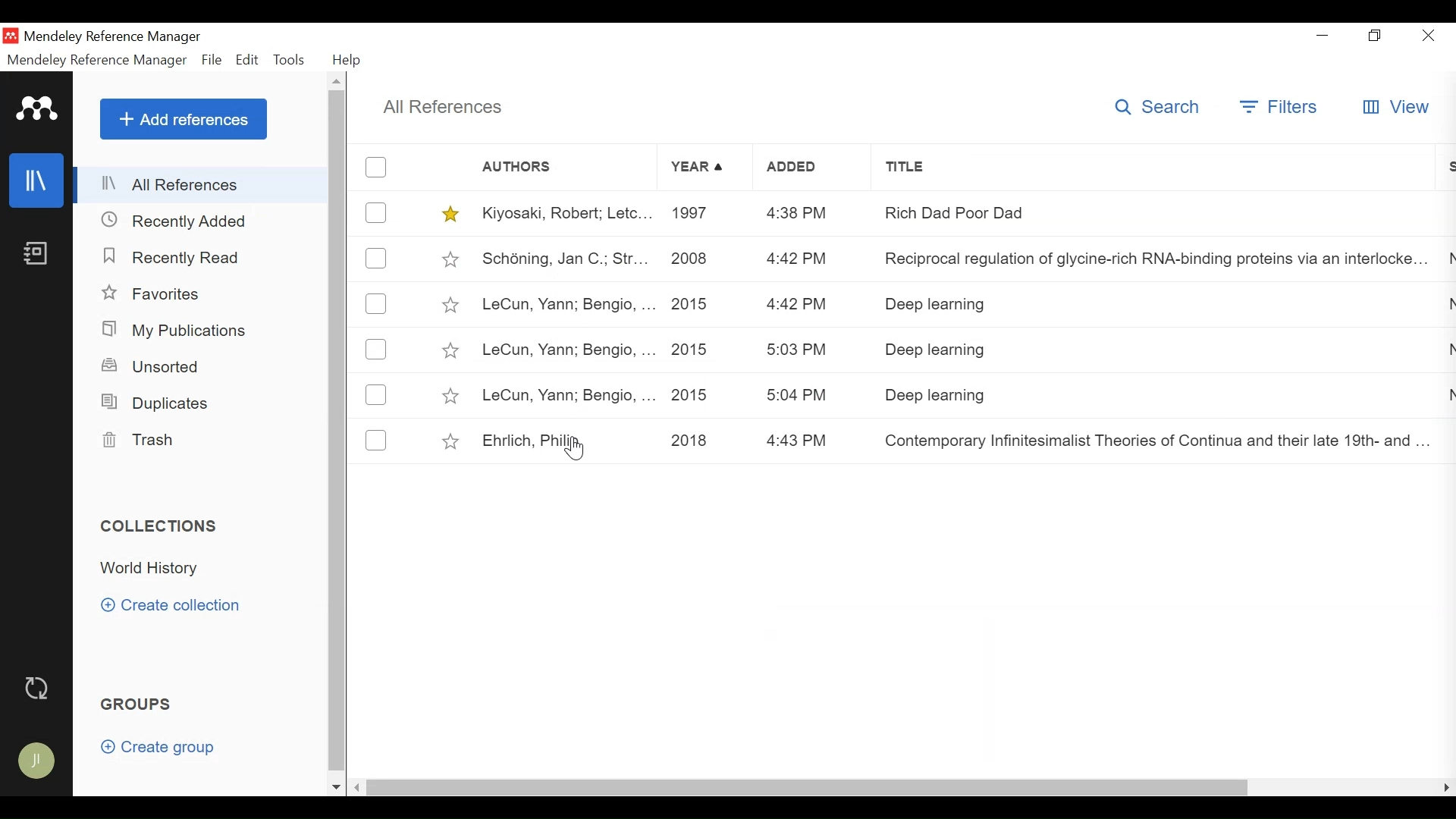 This screenshot has height=819, width=1456. I want to click on Favorites, so click(153, 293).